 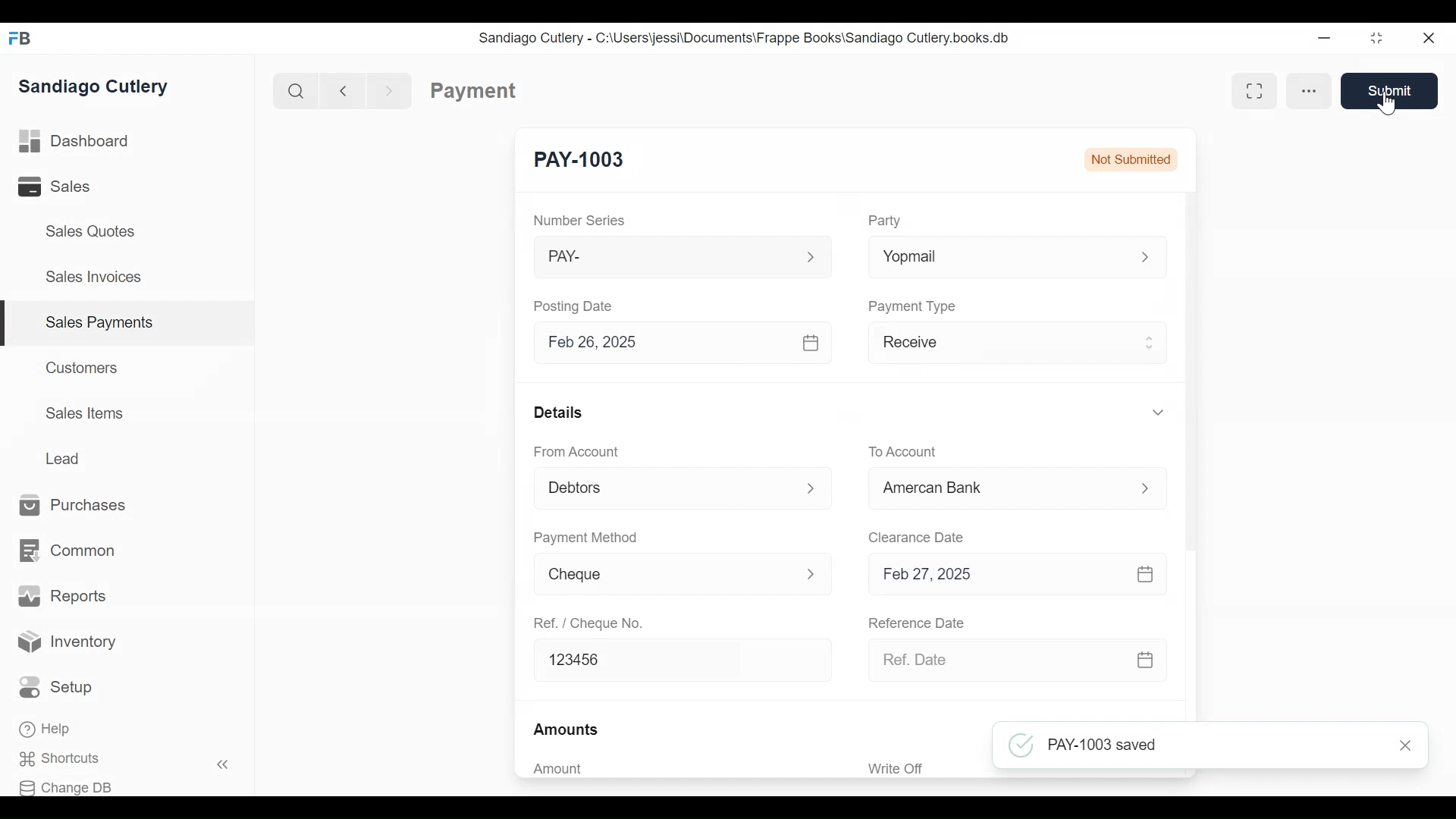 What do you see at coordinates (1324, 39) in the screenshot?
I see `Minimize` at bounding box center [1324, 39].